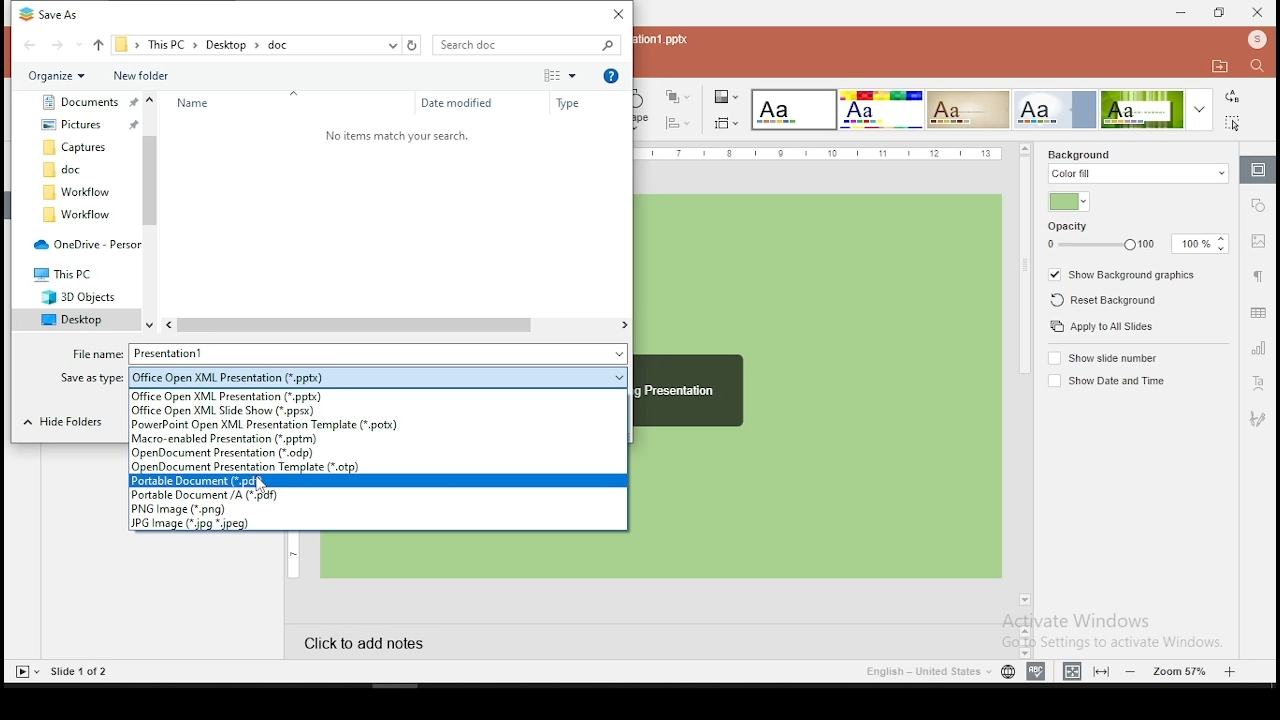  What do you see at coordinates (1107, 358) in the screenshot?
I see `show slide number` at bounding box center [1107, 358].